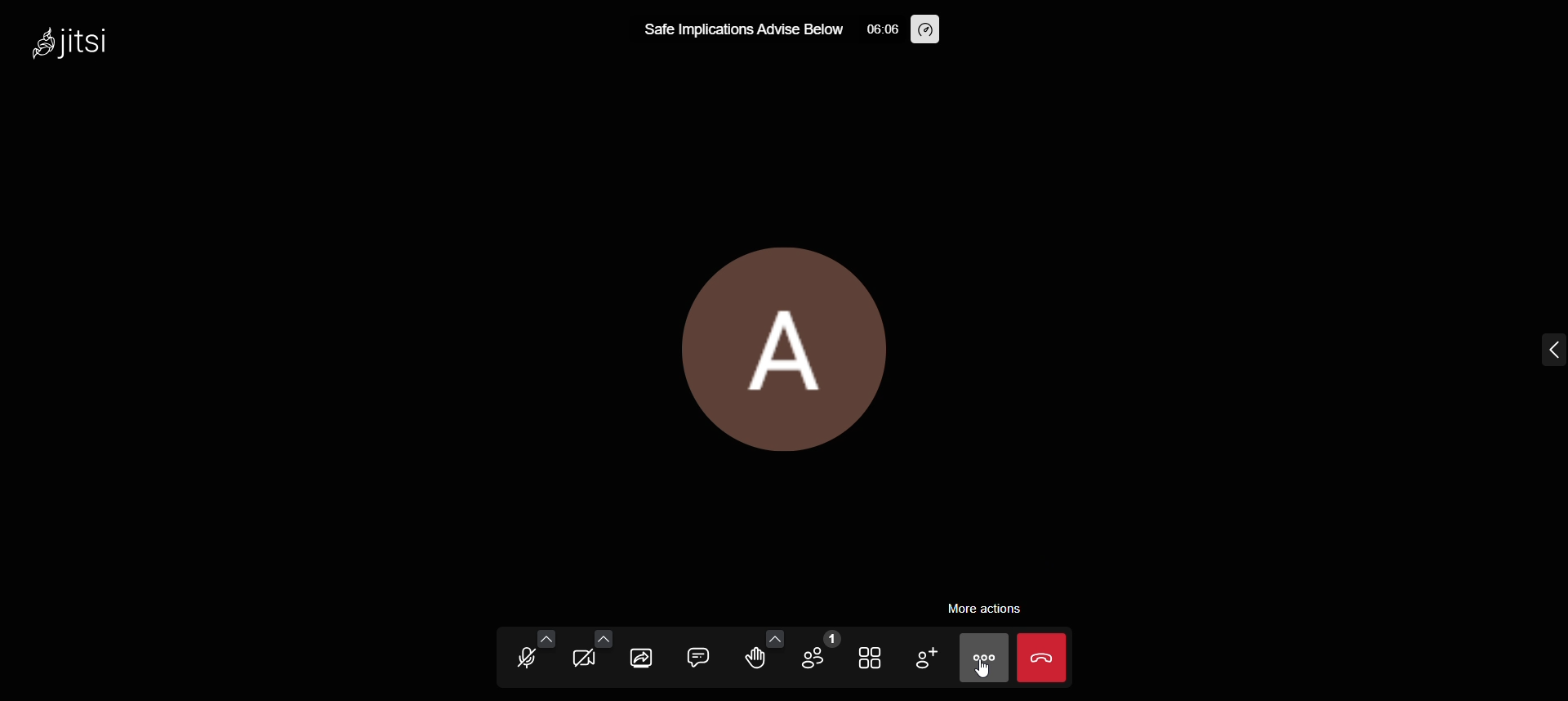  I want to click on raise your hand, so click(752, 660).